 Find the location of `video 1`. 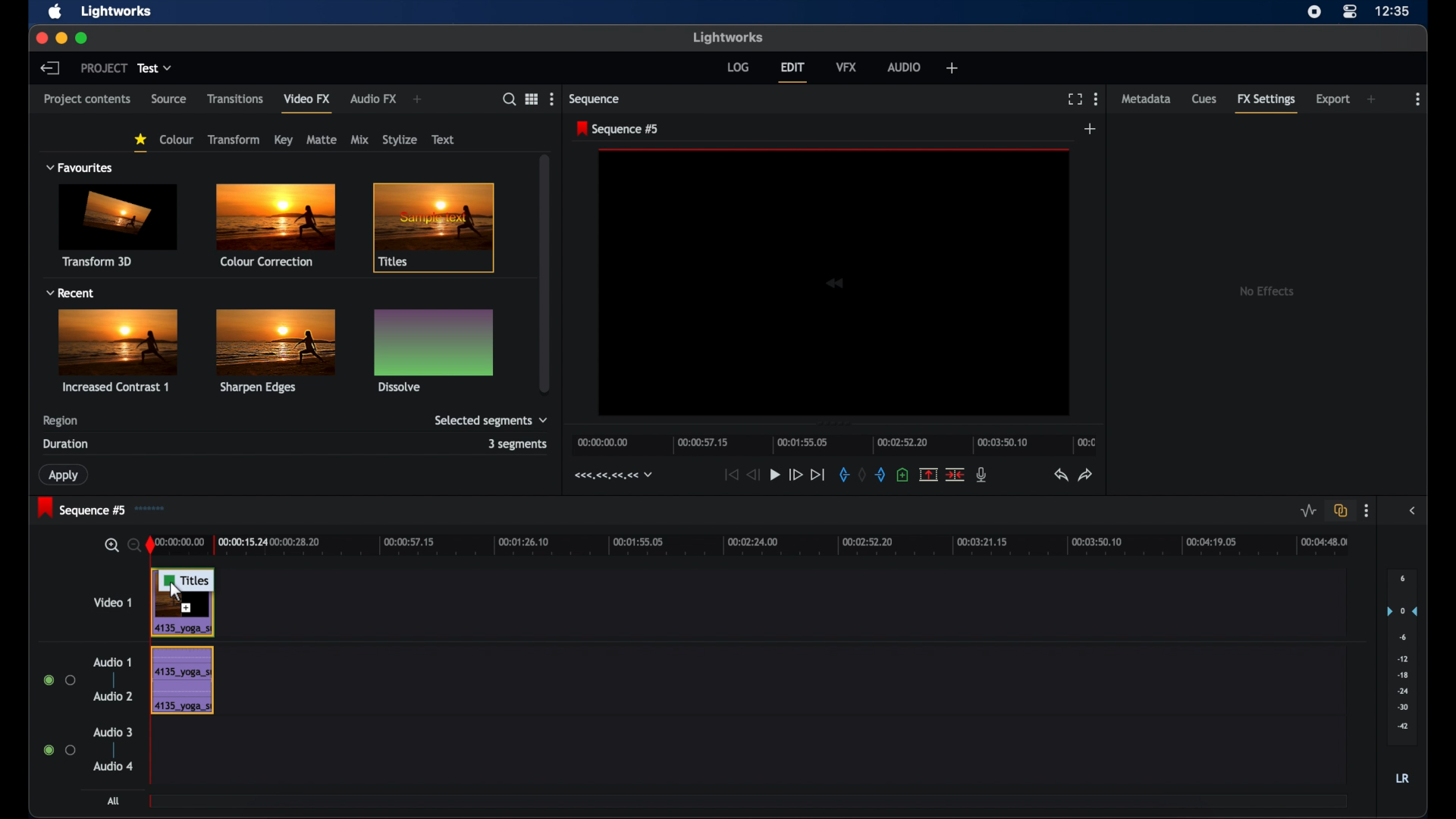

video 1 is located at coordinates (114, 602).